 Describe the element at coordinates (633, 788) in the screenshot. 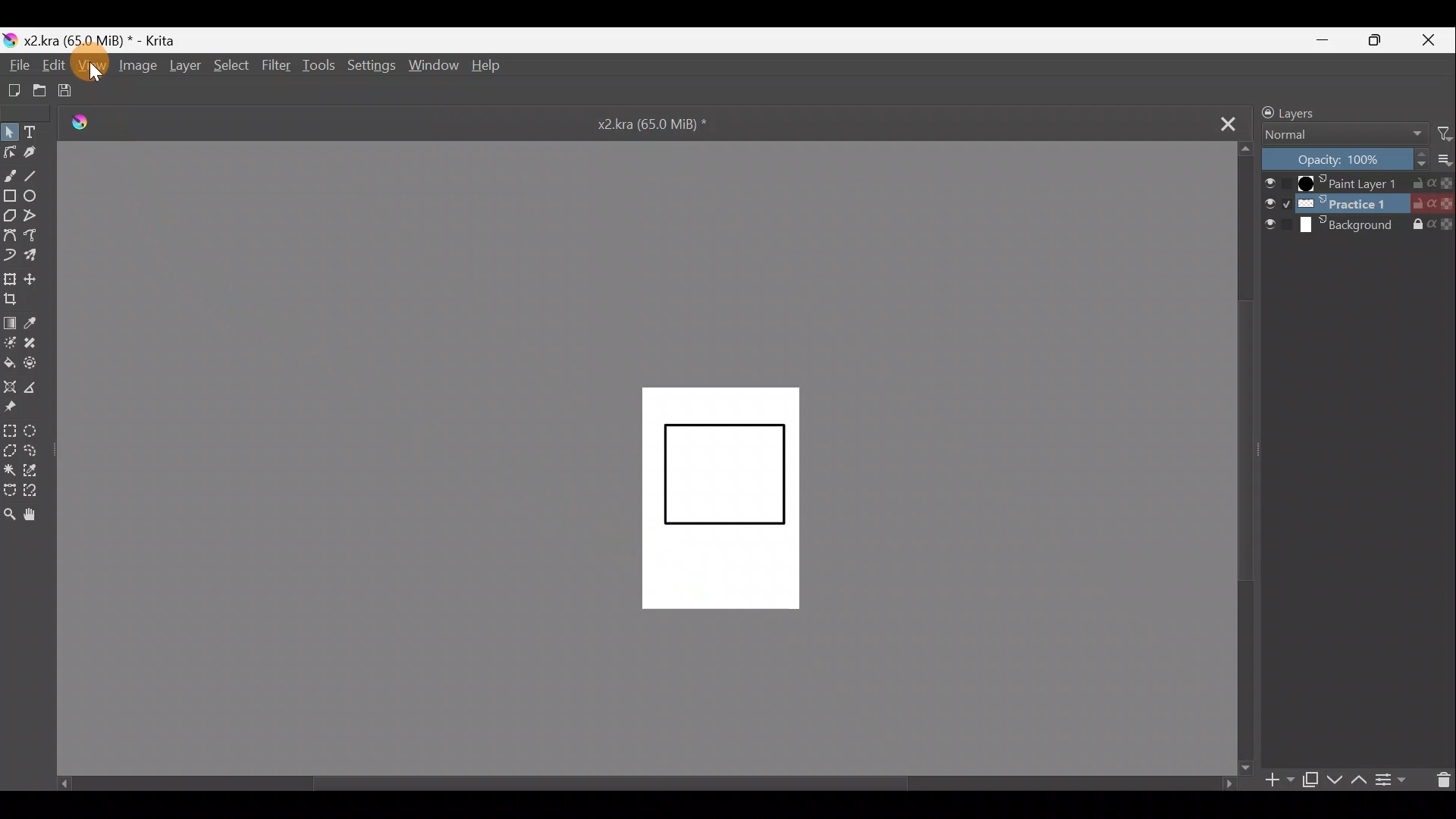

I see `Scroll bar` at that location.